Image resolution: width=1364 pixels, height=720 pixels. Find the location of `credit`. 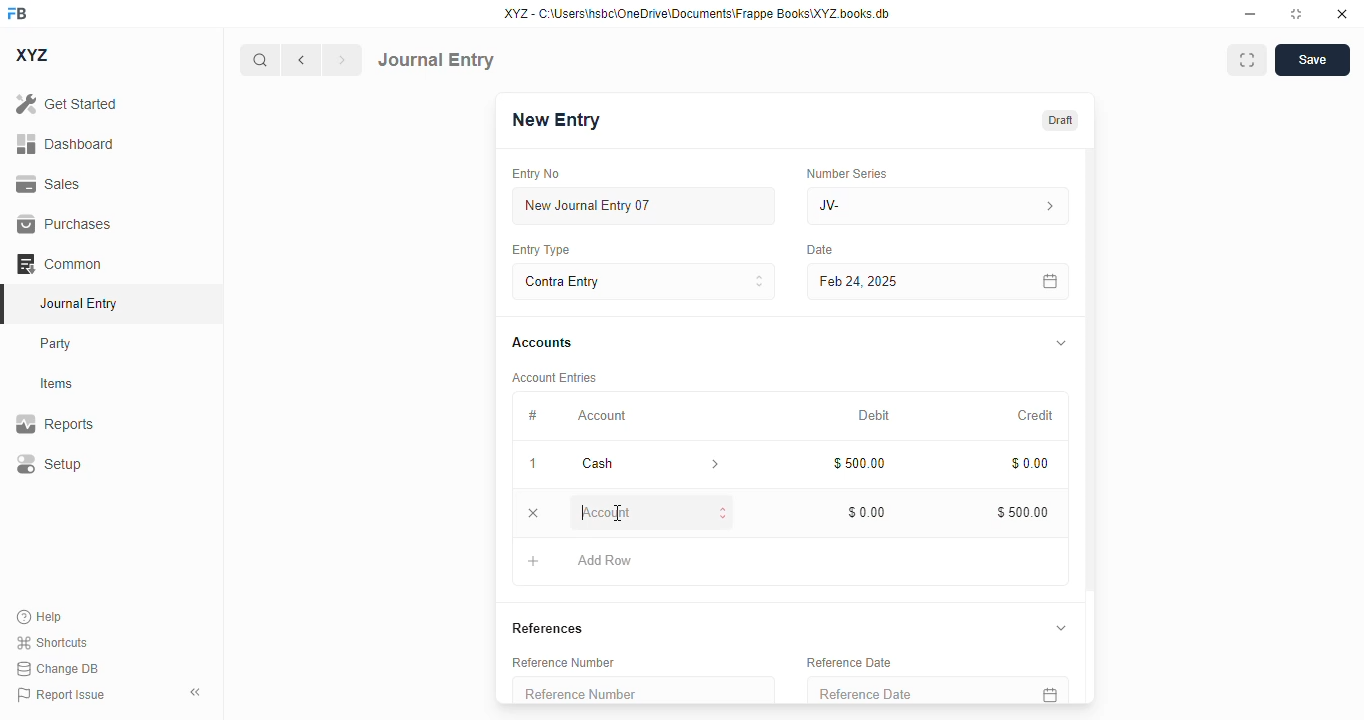

credit is located at coordinates (1037, 415).